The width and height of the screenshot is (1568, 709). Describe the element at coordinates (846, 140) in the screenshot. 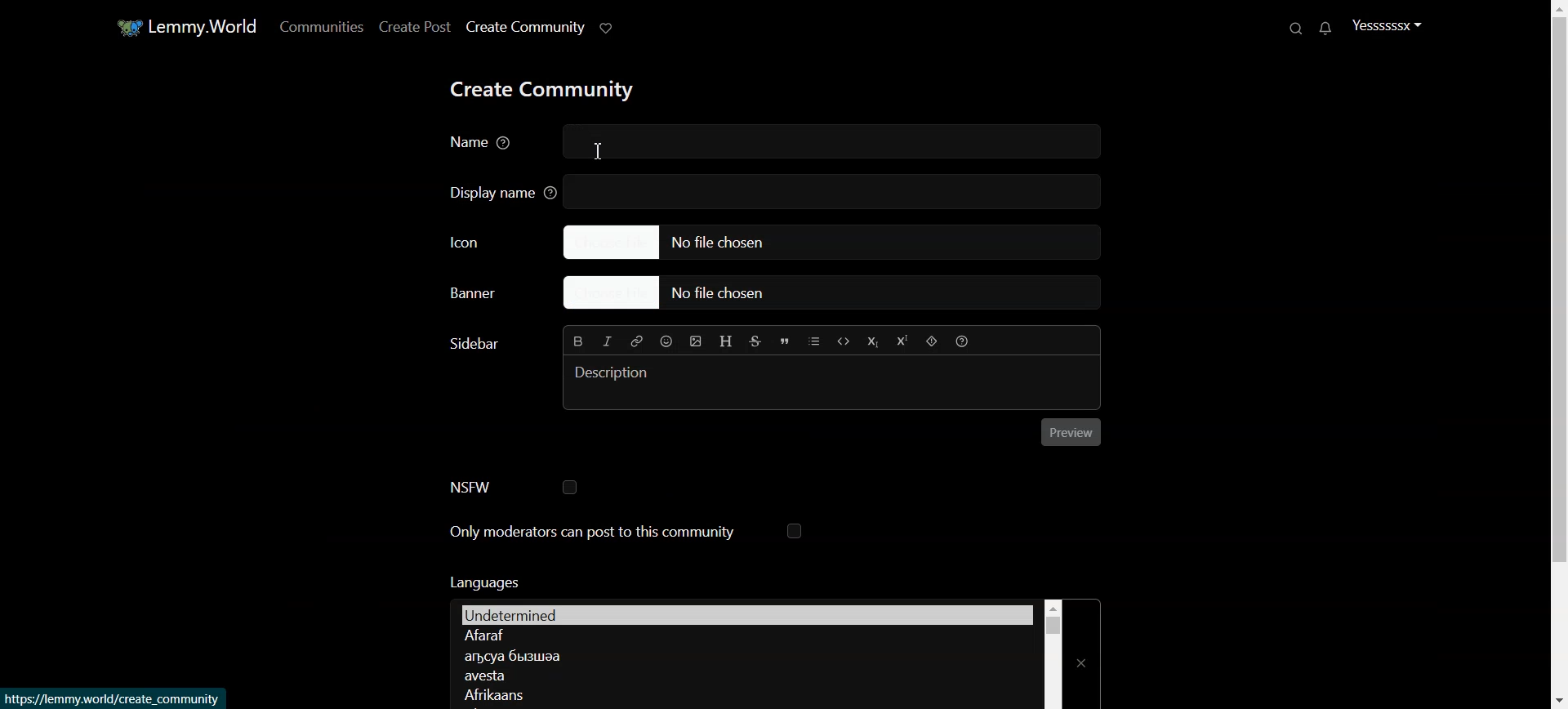

I see `write name` at that location.